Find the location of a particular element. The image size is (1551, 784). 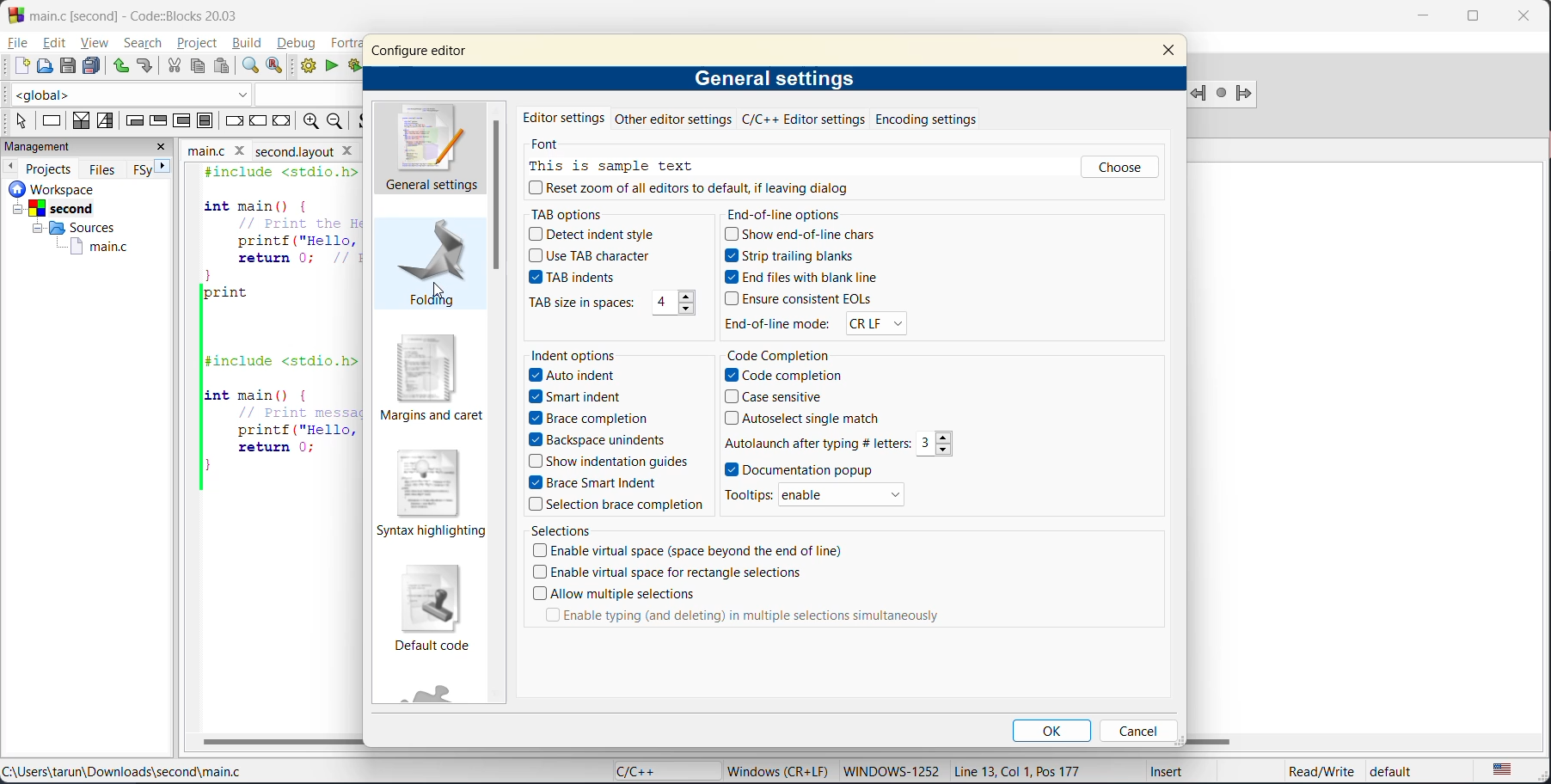

next is located at coordinates (169, 168).